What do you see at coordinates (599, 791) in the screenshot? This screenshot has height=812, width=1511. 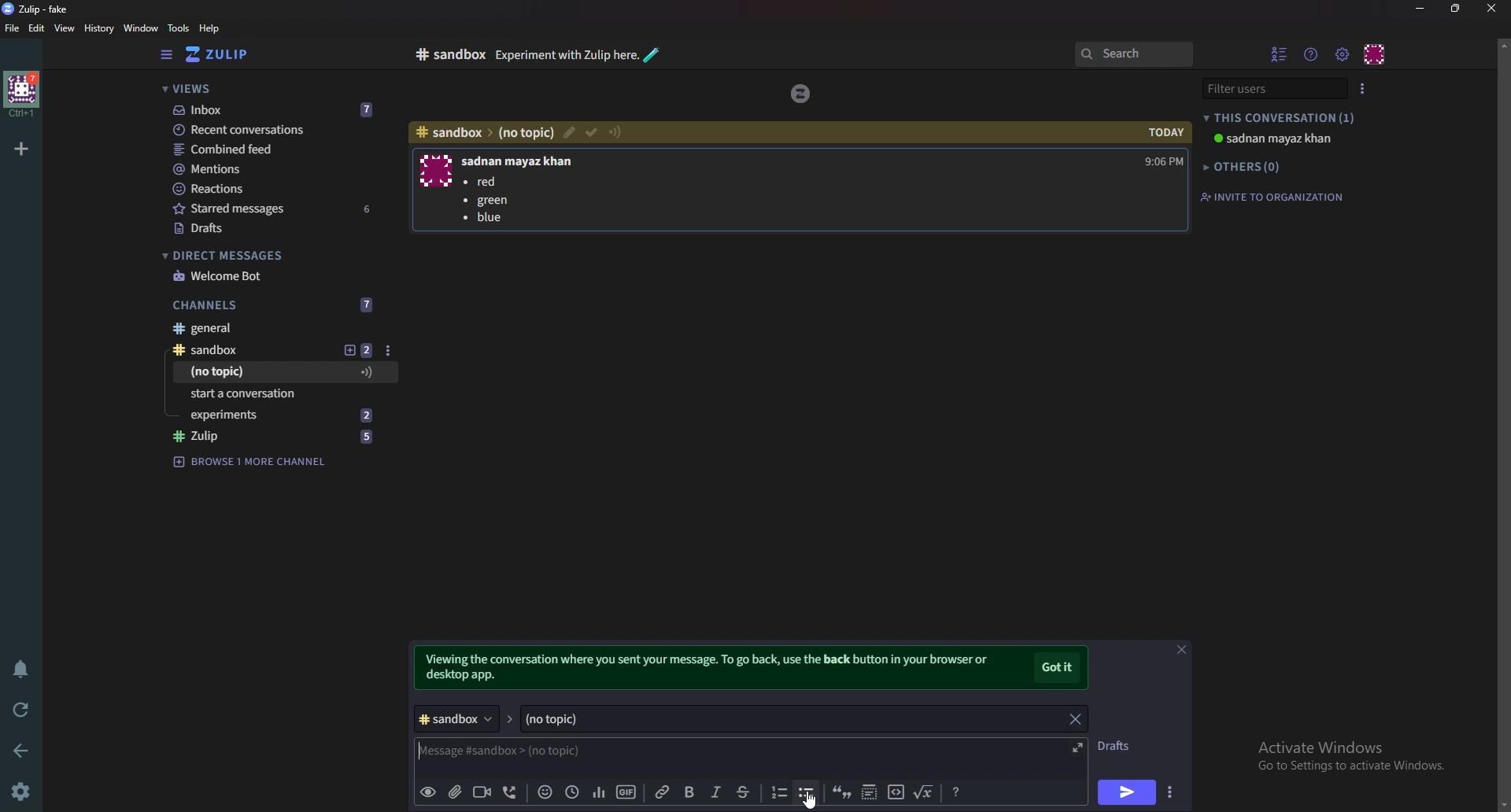 I see `poll` at bounding box center [599, 791].